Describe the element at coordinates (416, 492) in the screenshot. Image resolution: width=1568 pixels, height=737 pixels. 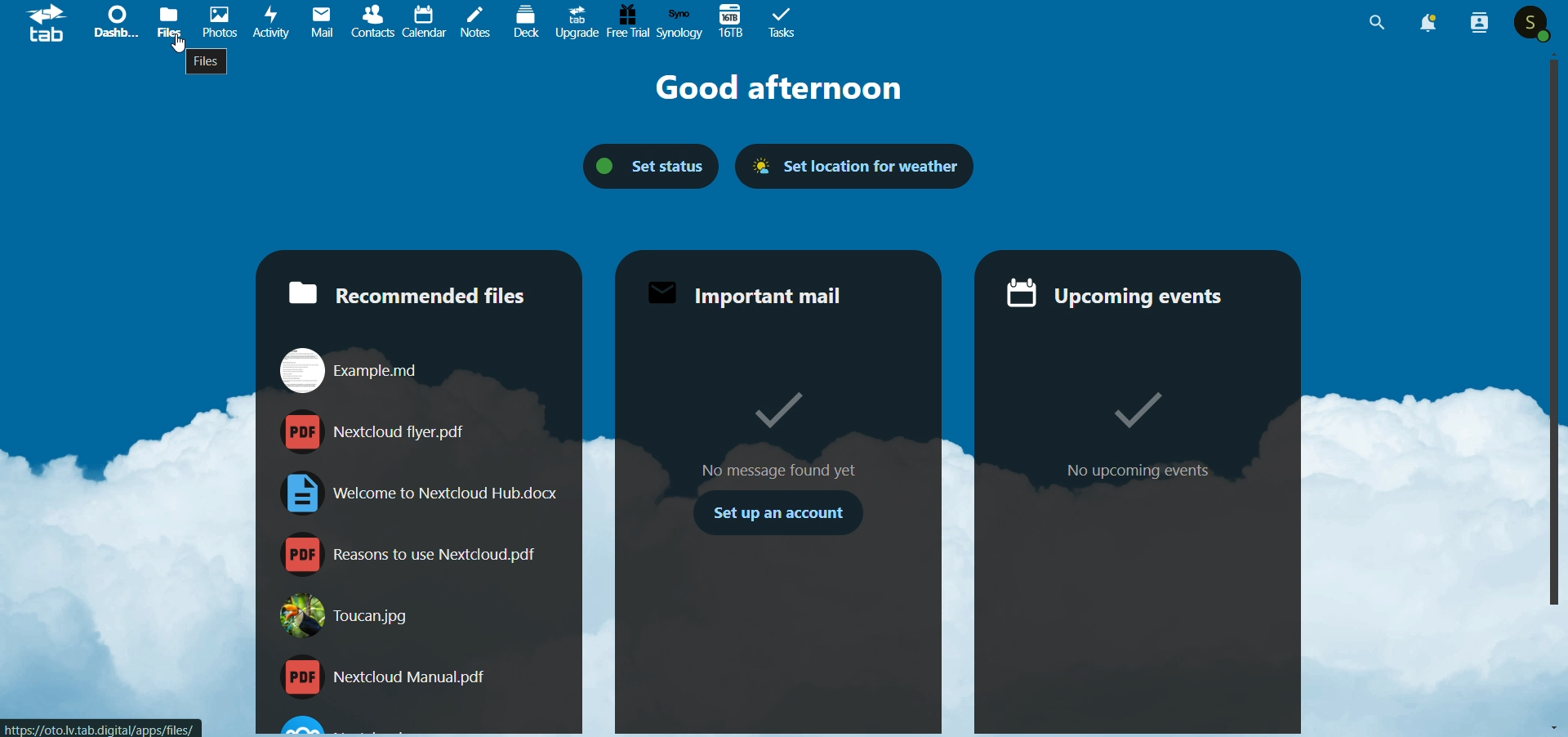
I see `welcome kit` at that location.